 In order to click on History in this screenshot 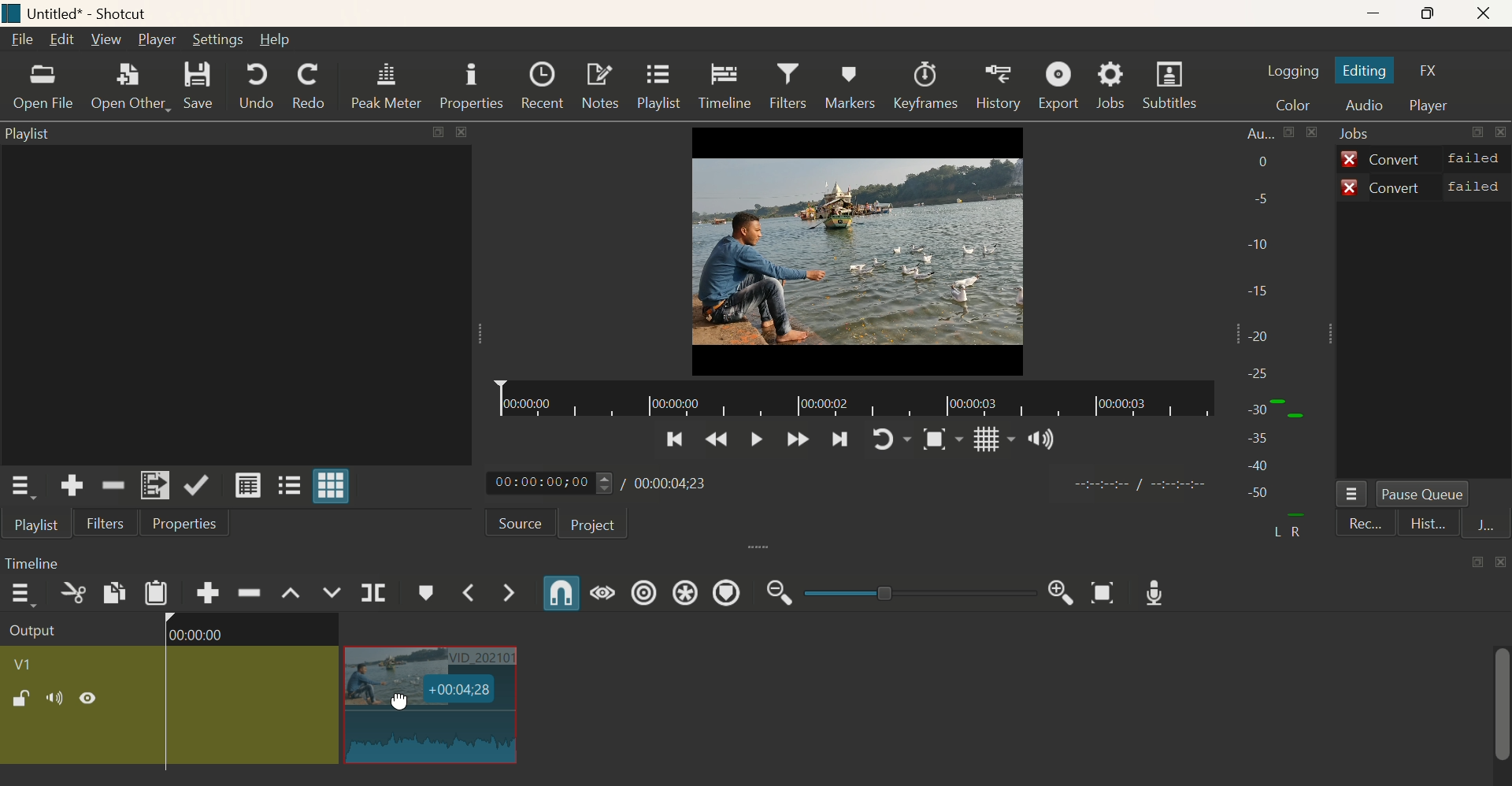, I will do `click(999, 87)`.